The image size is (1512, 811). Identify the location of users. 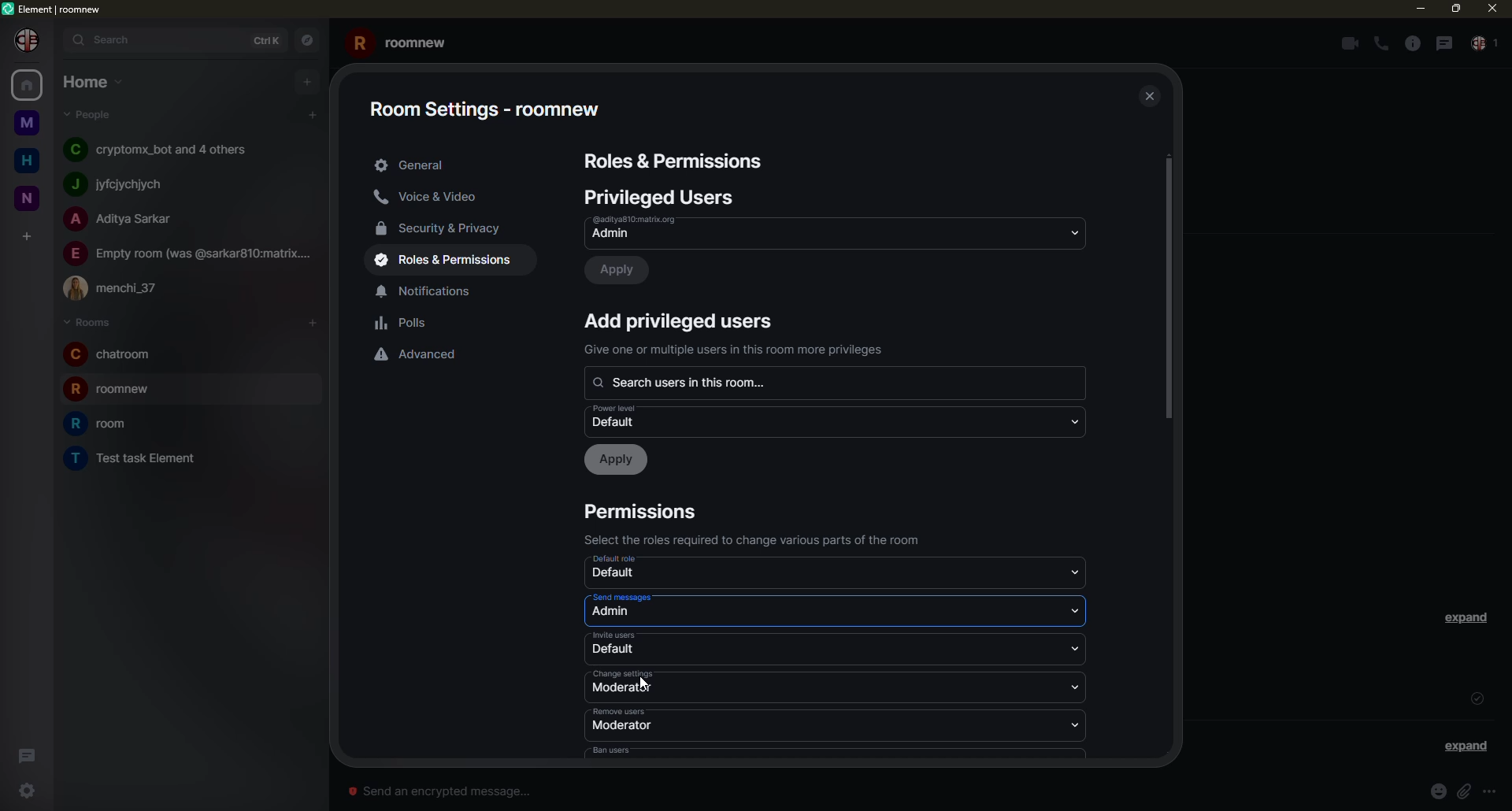
(663, 197).